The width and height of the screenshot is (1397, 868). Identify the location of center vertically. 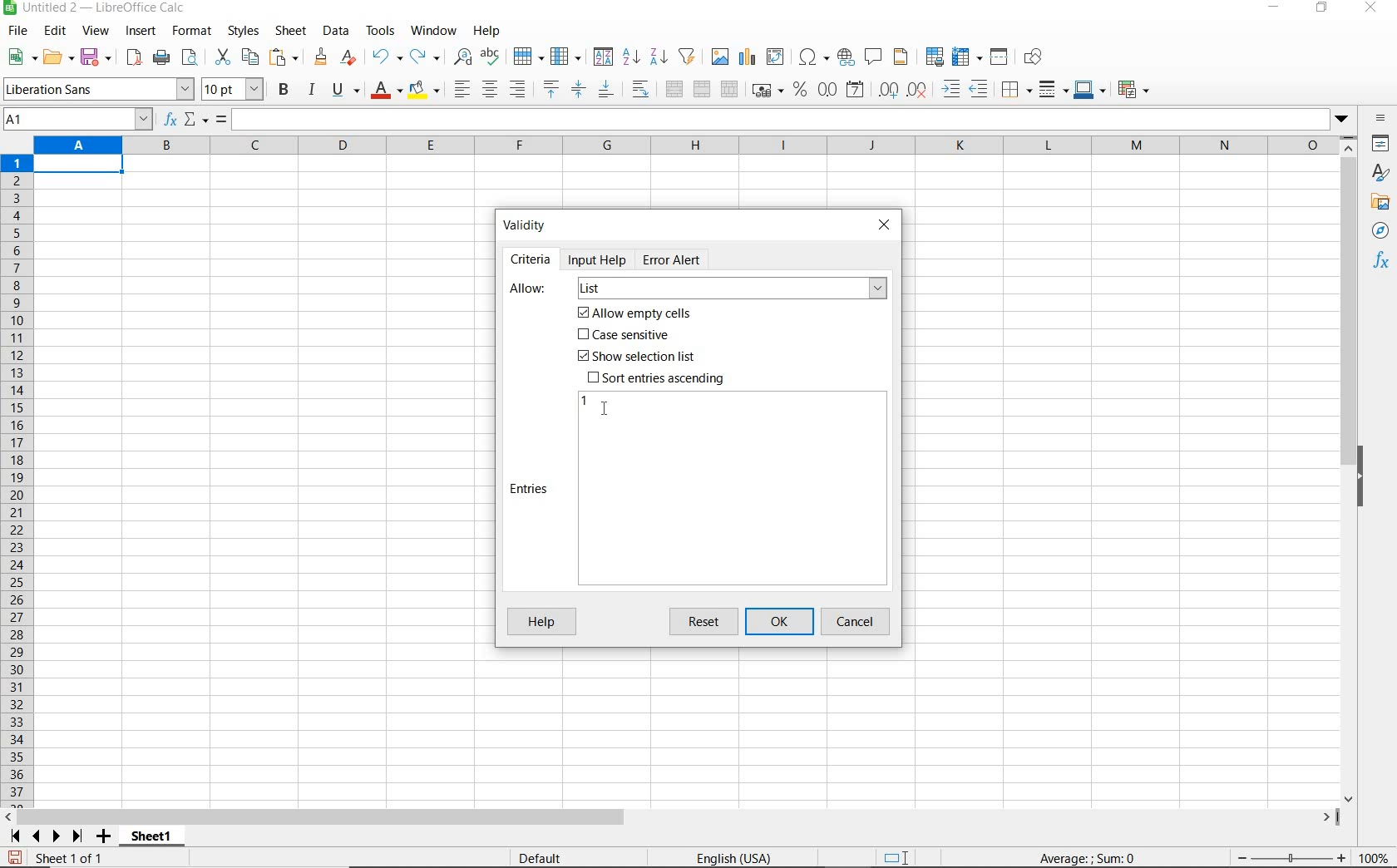
(578, 90).